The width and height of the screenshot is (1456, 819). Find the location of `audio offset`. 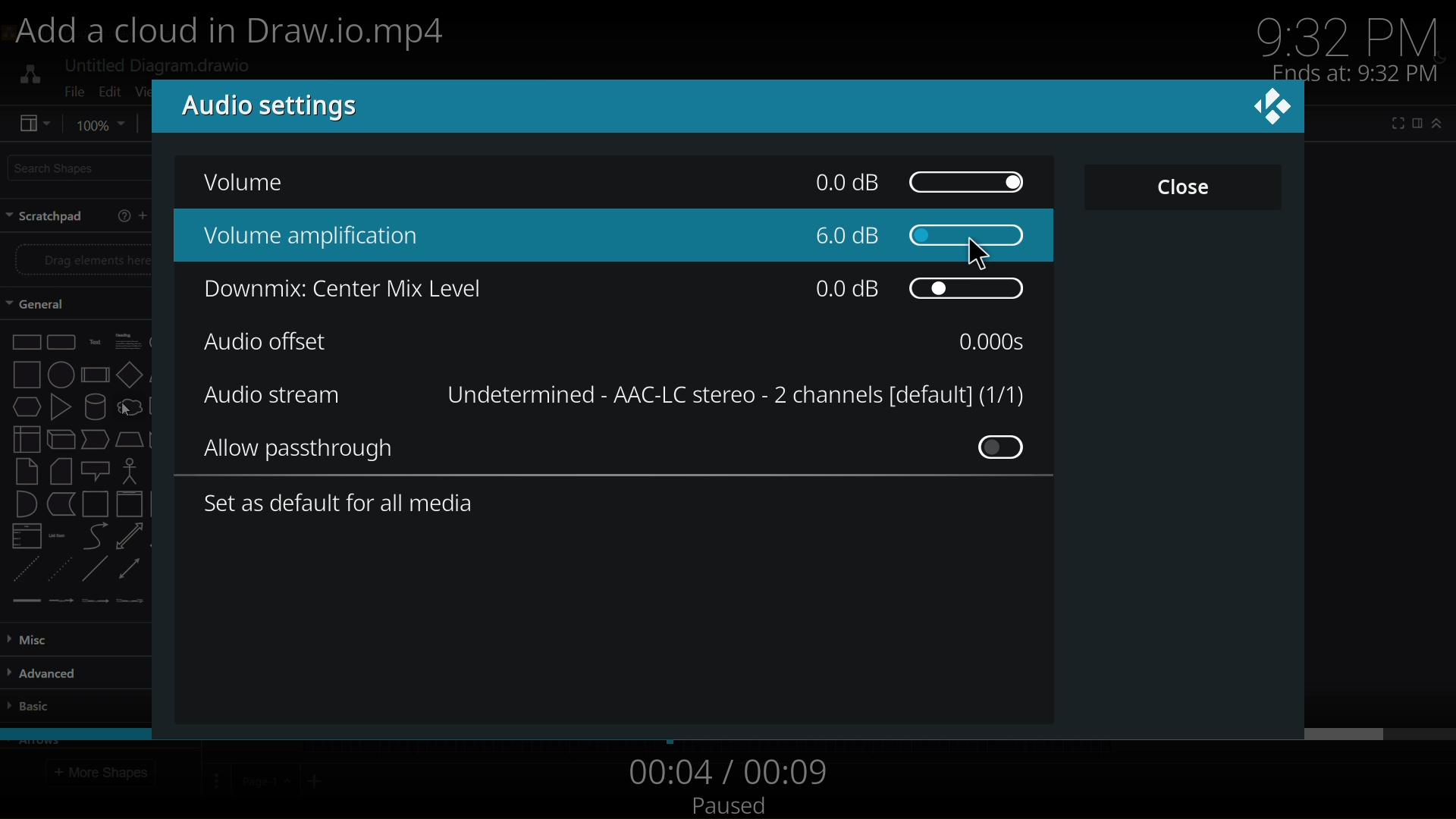

audio offset is located at coordinates (268, 341).